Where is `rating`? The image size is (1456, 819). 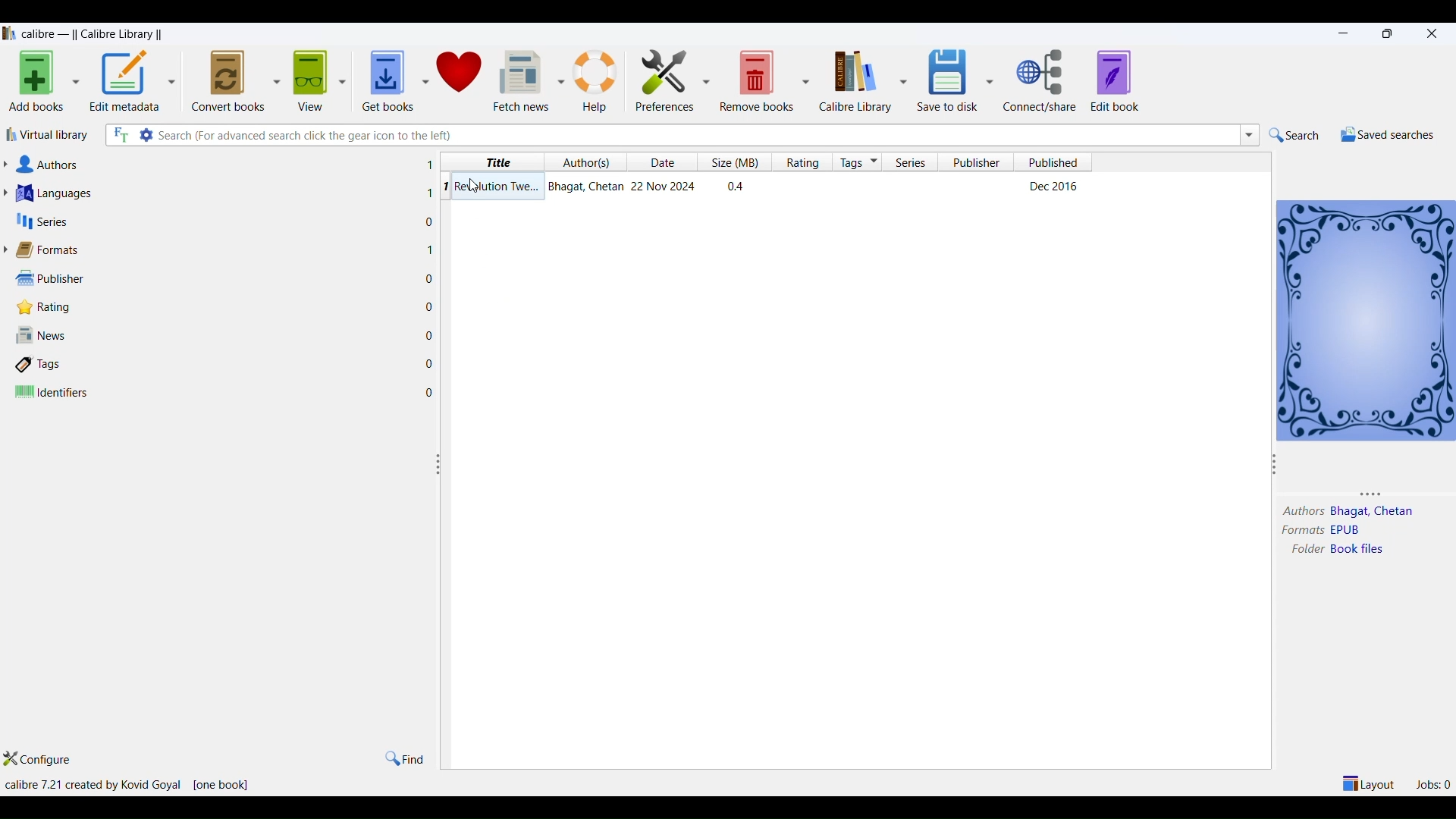
rating is located at coordinates (40, 307).